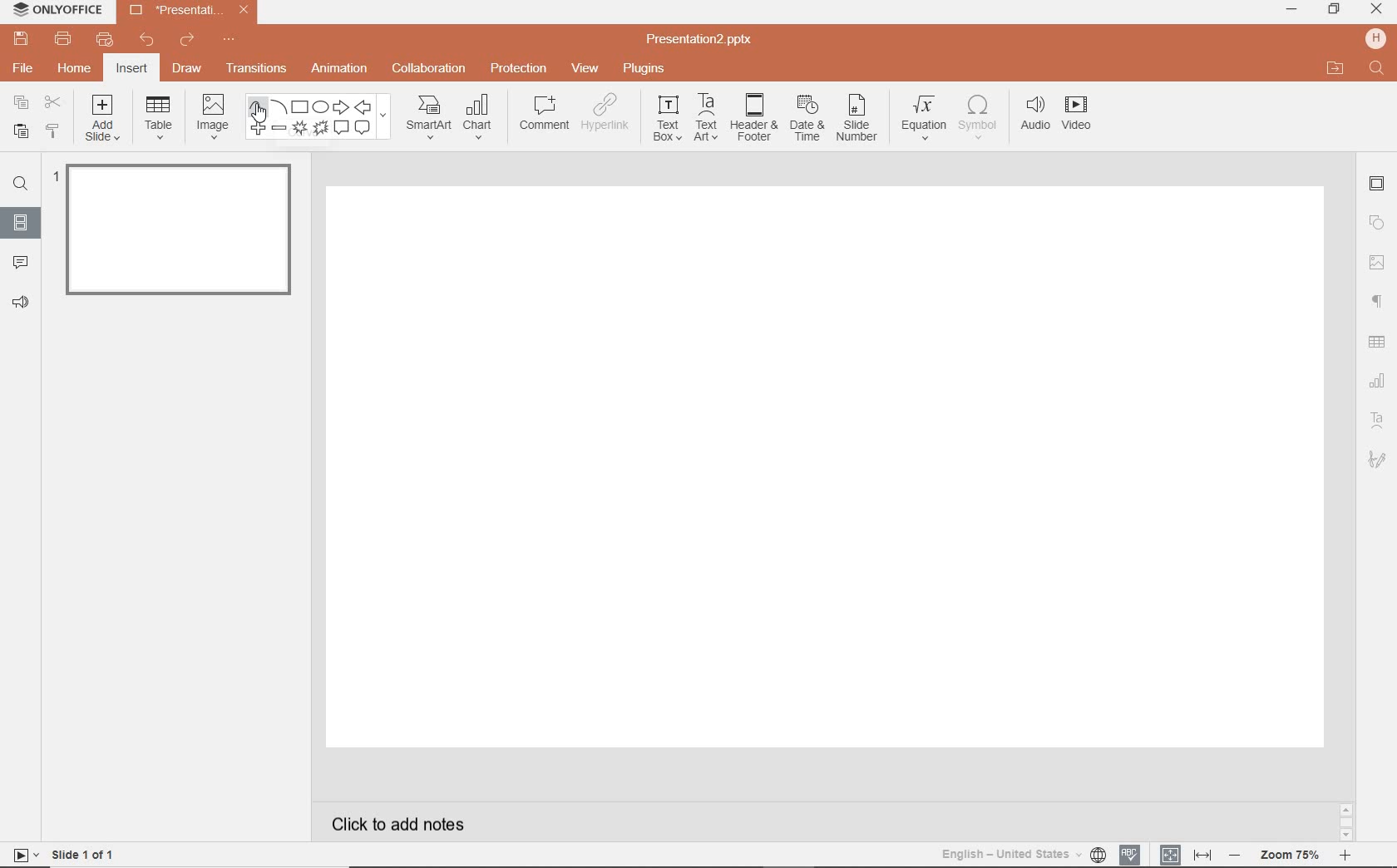  I want to click on TEXT BOX, so click(665, 121).